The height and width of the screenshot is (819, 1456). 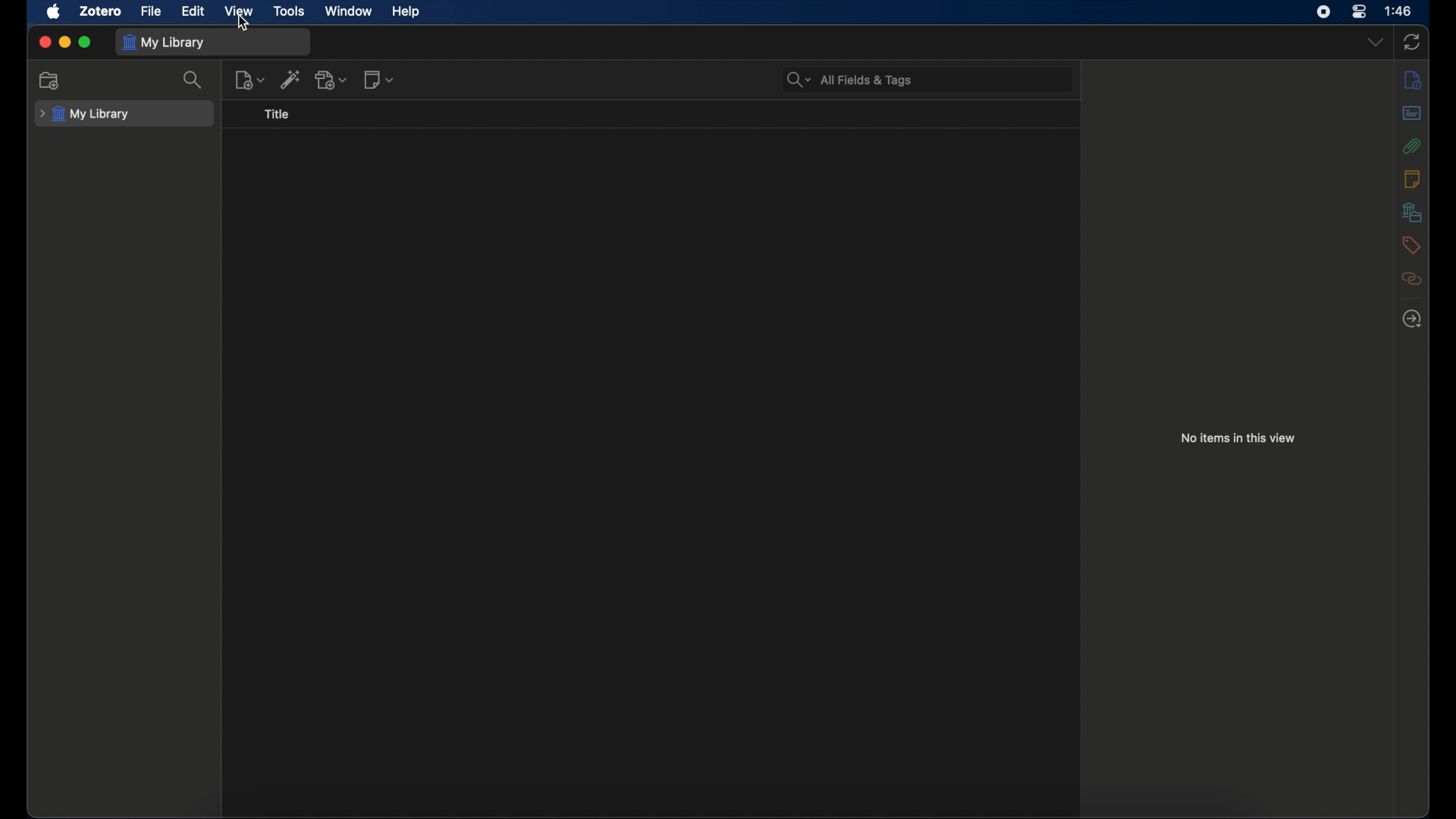 I want to click on new notes, so click(x=378, y=79).